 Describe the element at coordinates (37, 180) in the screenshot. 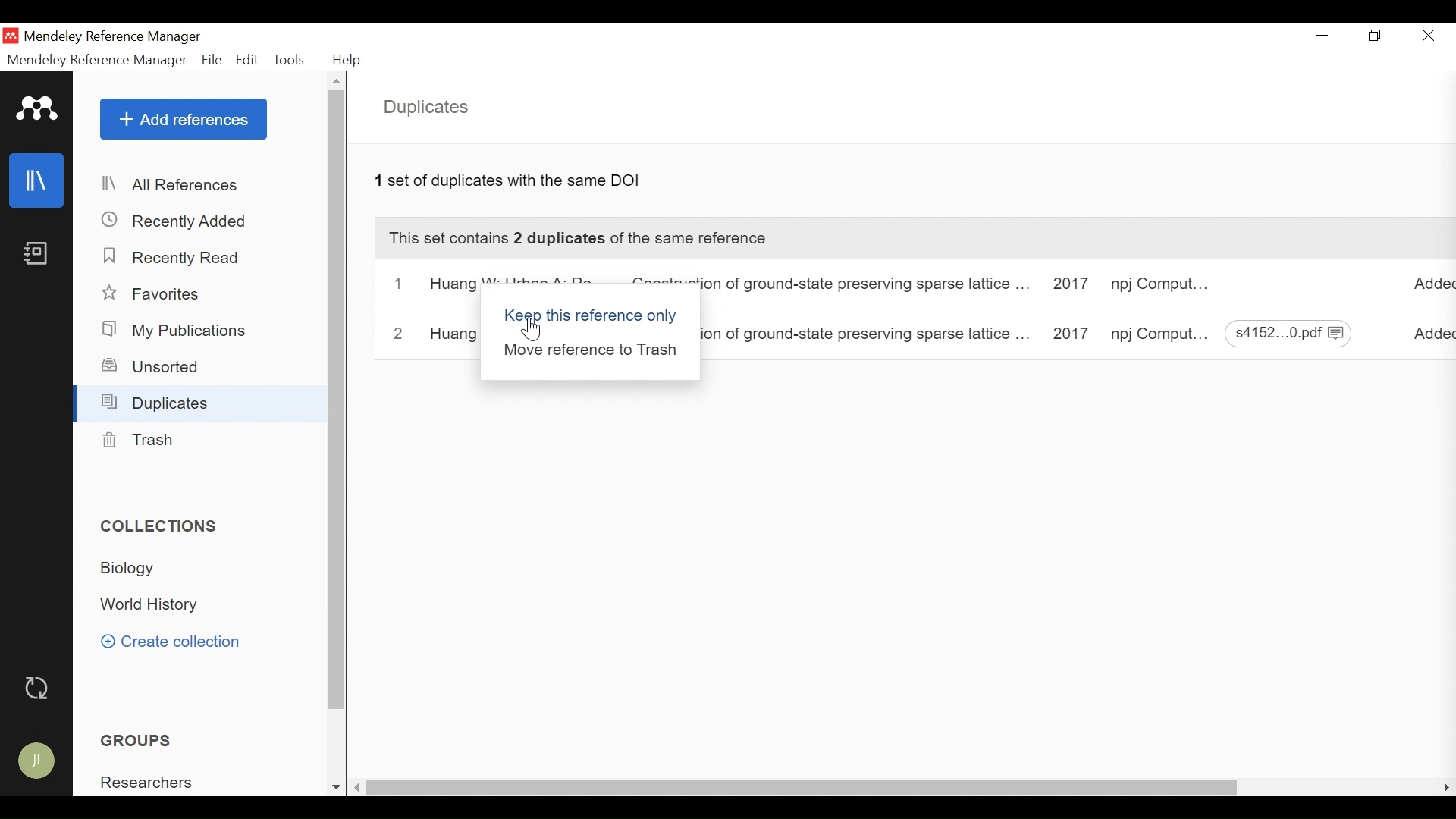

I see `Library` at that location.